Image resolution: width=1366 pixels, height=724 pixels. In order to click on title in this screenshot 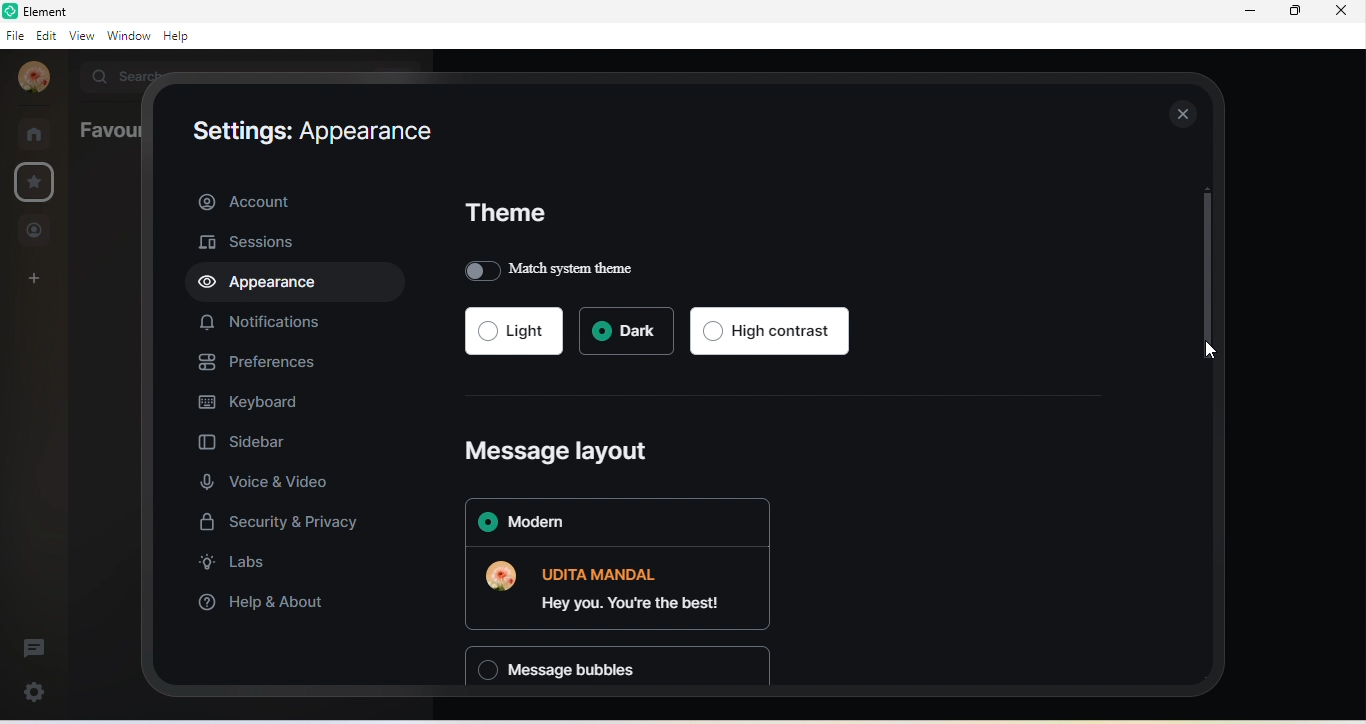, I will do `click(51, 11)`.